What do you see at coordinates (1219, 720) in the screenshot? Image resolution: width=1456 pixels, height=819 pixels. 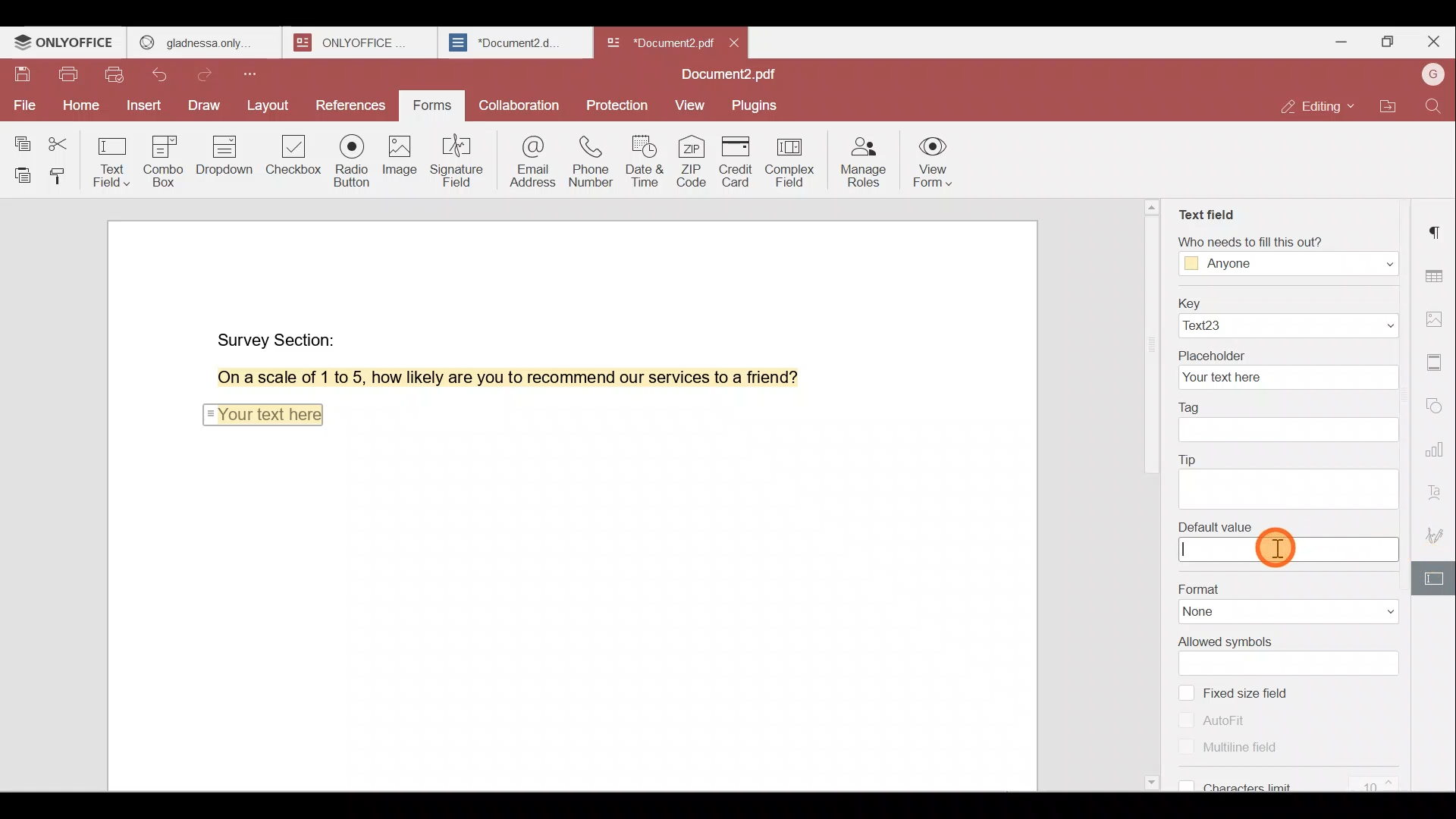 I see `Autofit` at bounding box center [1219, 720].